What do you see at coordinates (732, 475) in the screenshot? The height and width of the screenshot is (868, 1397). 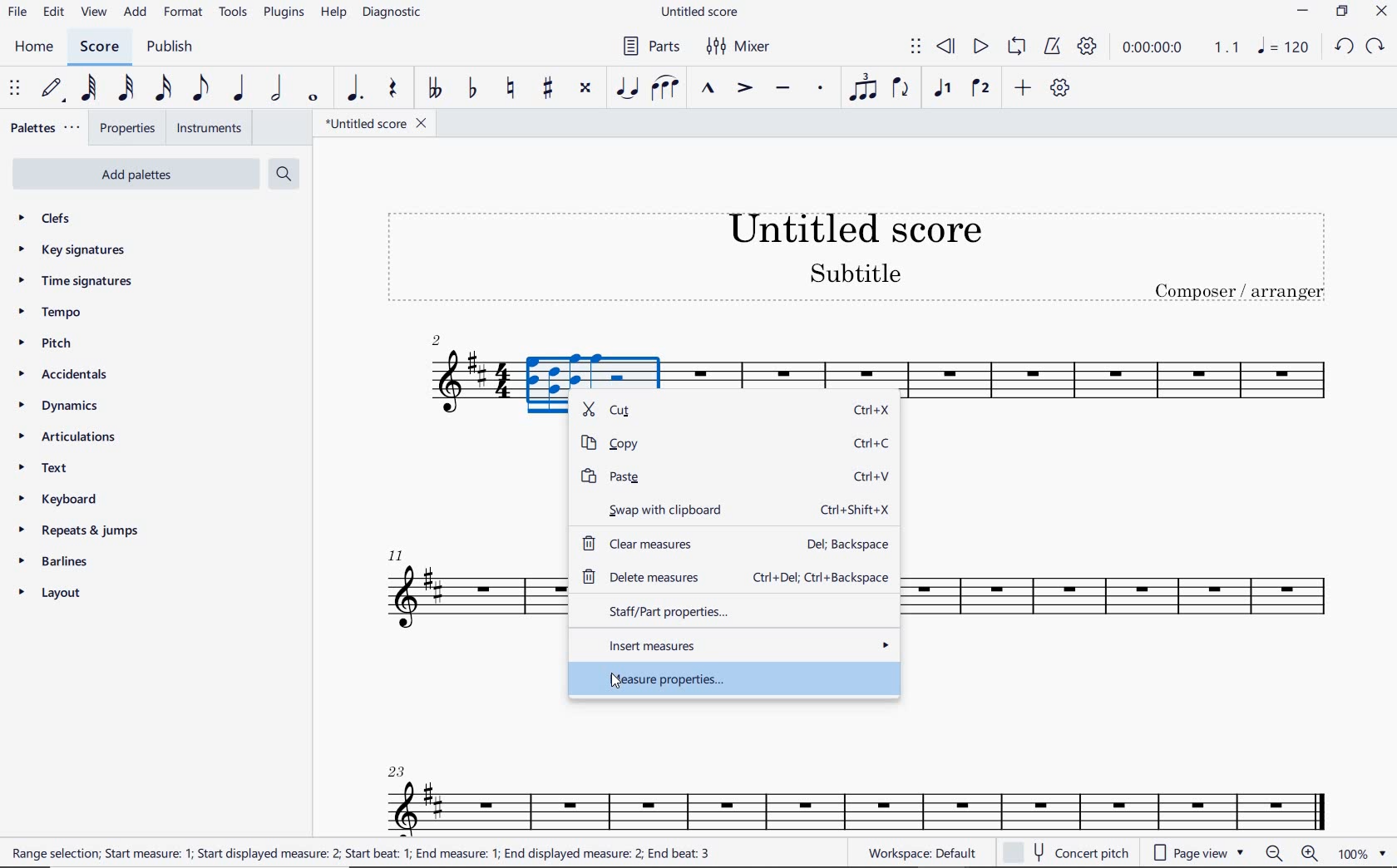 I see `paste` at bounding box center [732, 475].